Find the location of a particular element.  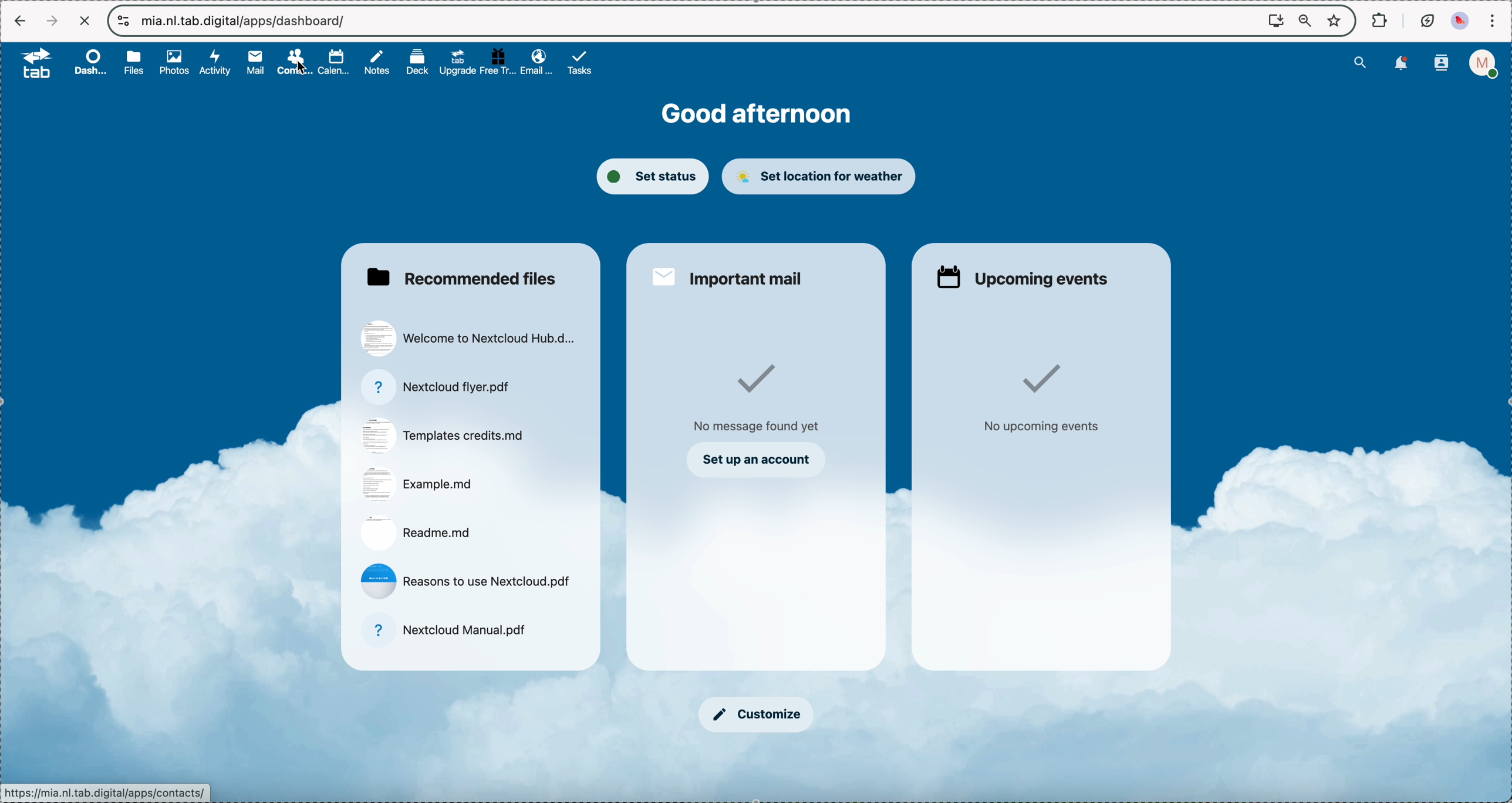

notes is located at coordinates (379, 63).